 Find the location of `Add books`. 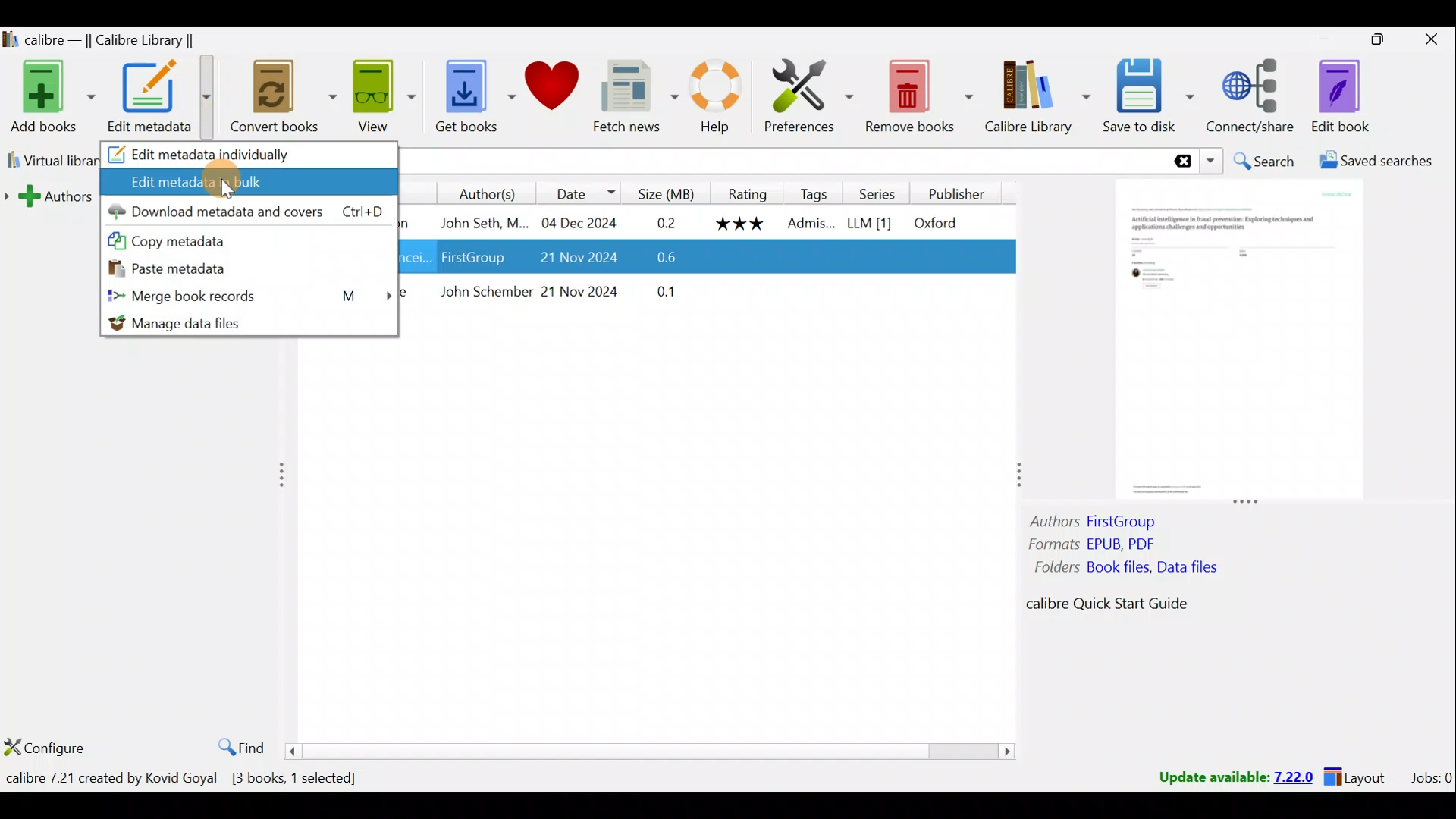

Add books is located at coordinates (49, 97).